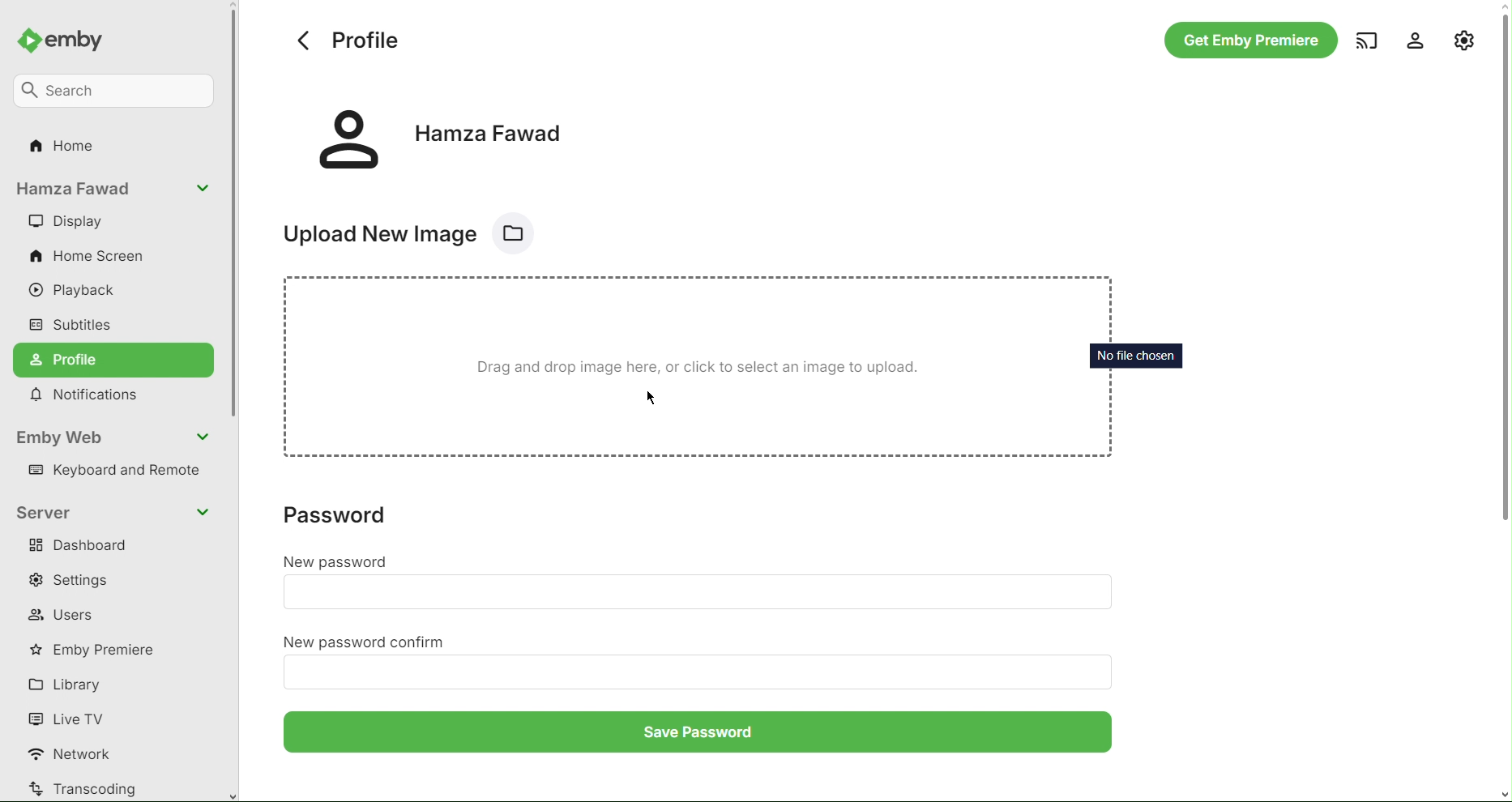 Image resolution: width=1512 pixels, height=802 pixels. Describe the element at coordinates (70, 718) in the screenshot. I see `Live TV` at that location.